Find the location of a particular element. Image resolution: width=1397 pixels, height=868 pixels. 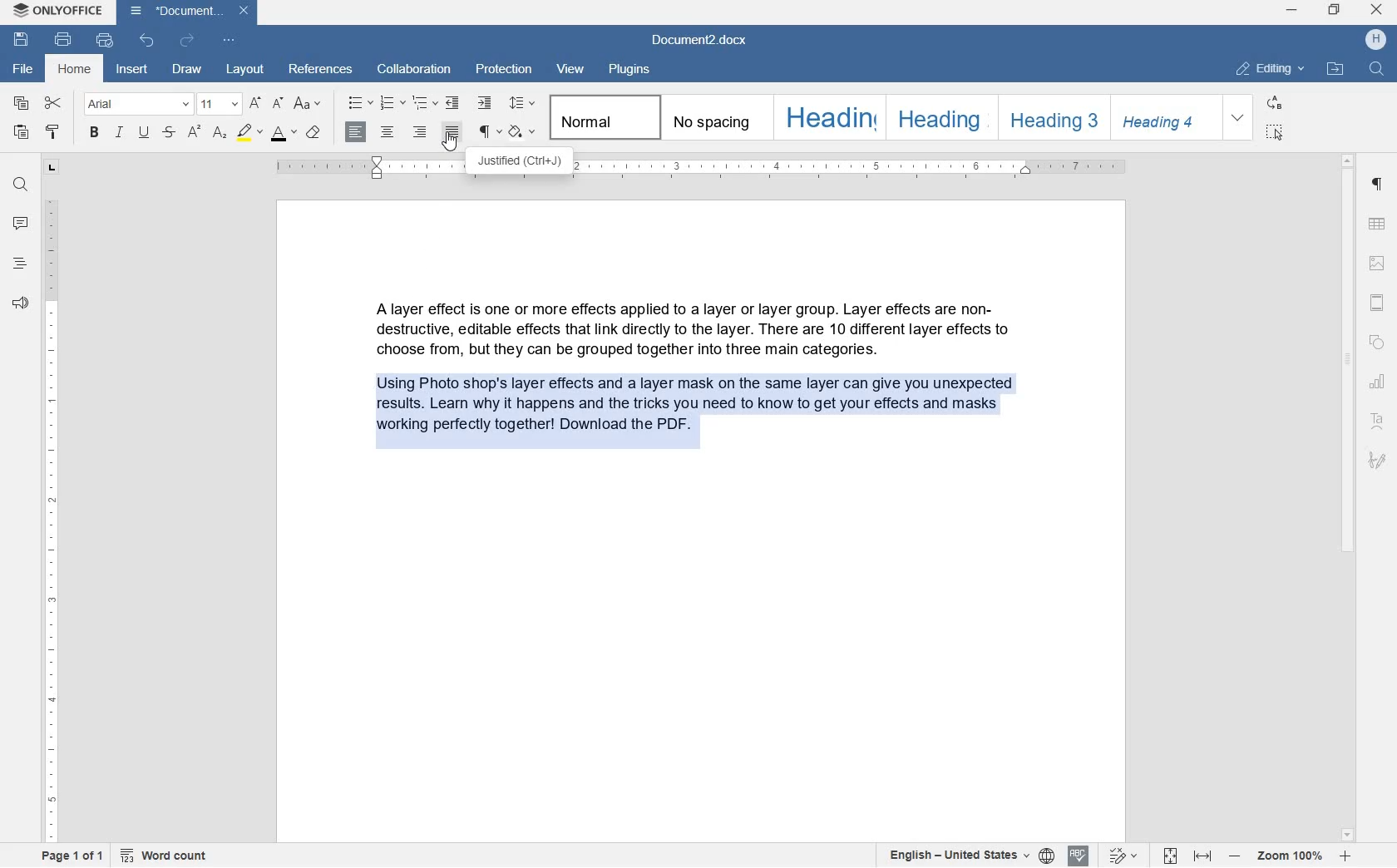

UNDO is located at coordinates (148, 42).